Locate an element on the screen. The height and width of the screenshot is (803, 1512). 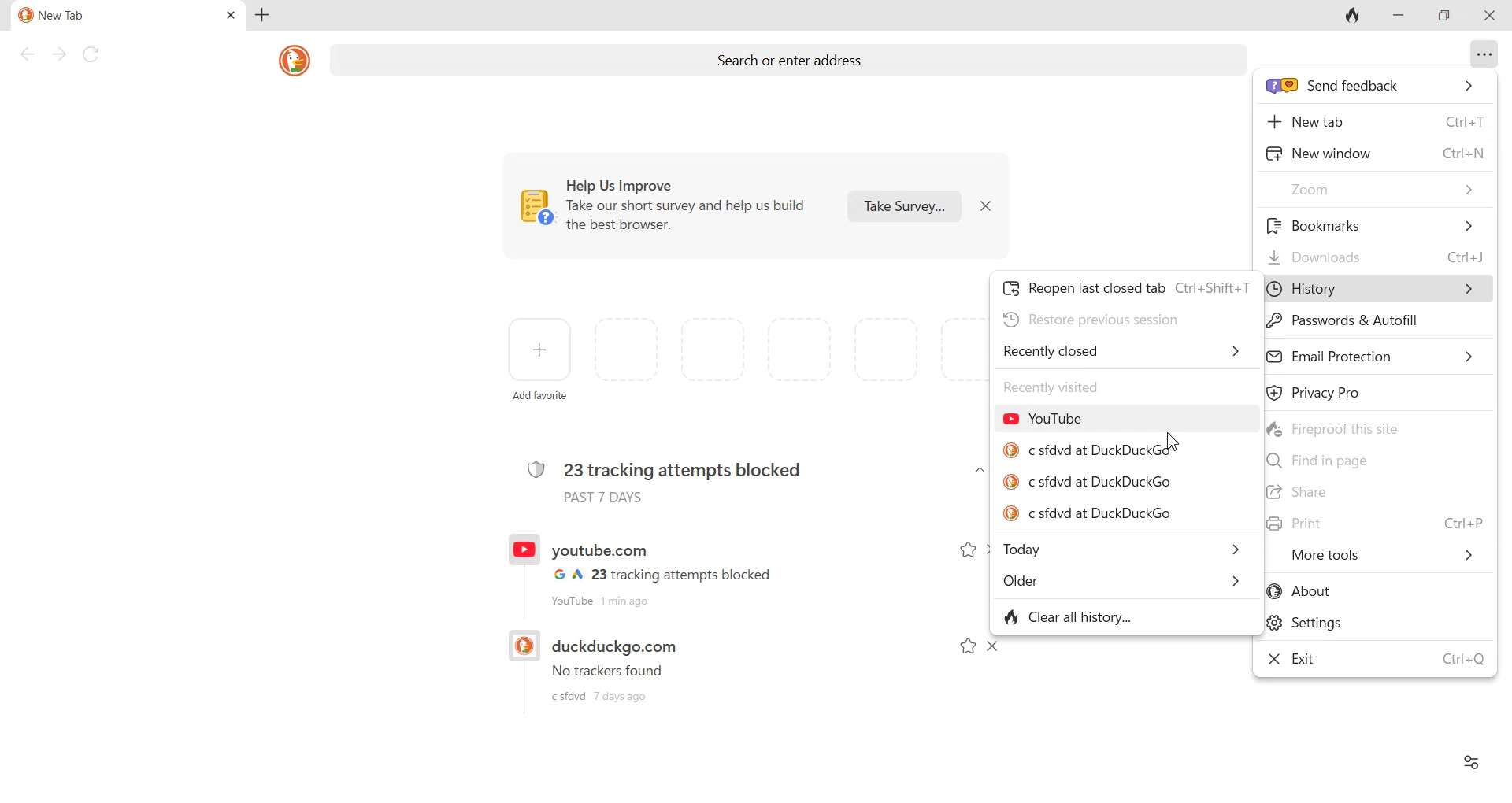
Exit is located at coordinates (1375, 657).